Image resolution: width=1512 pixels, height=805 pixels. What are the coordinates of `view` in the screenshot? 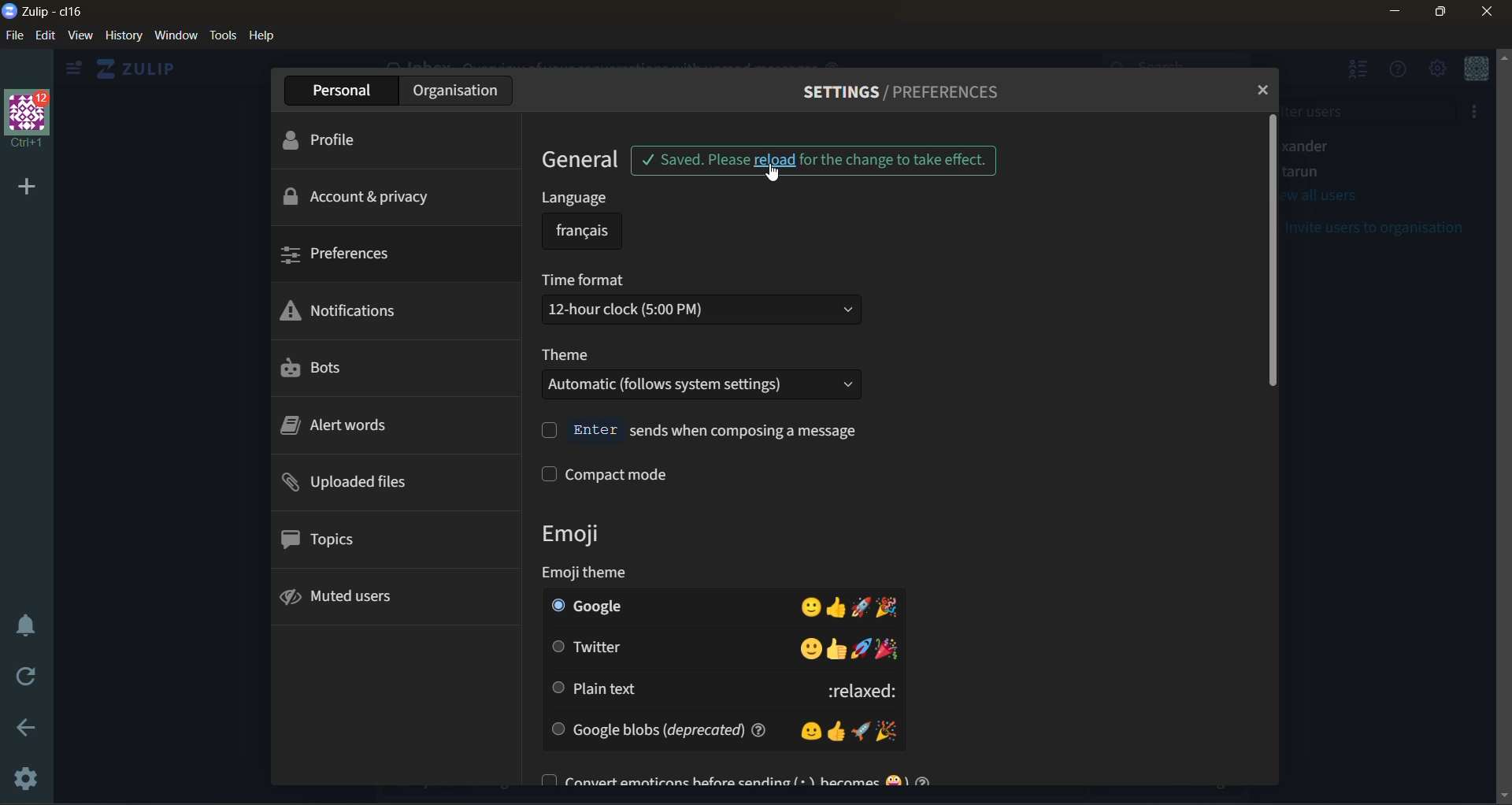 It's located at (83, 37).